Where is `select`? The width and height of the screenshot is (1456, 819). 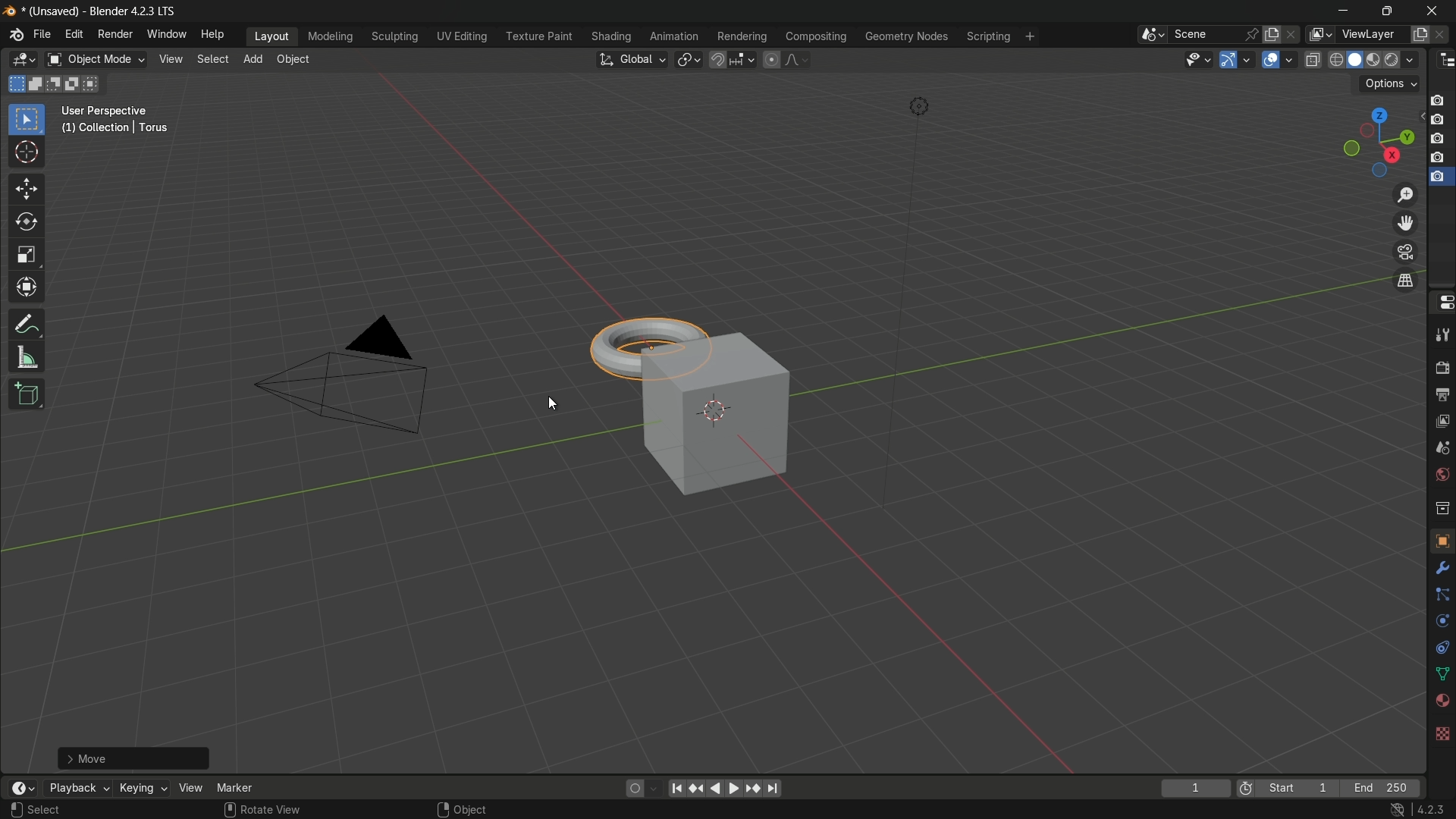
select is located at coordinates (26, 121).